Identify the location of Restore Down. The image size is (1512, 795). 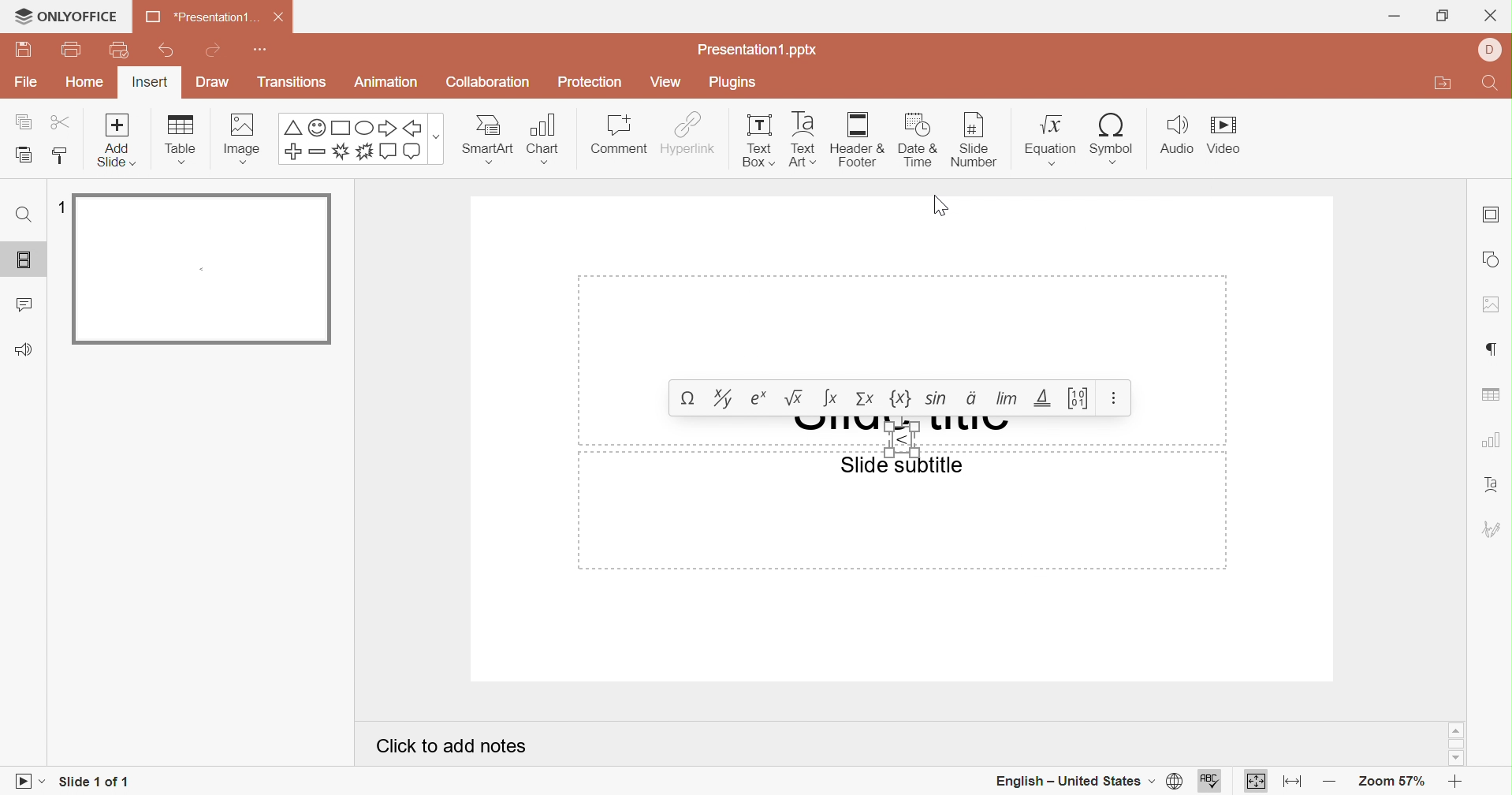
(1447, 15).